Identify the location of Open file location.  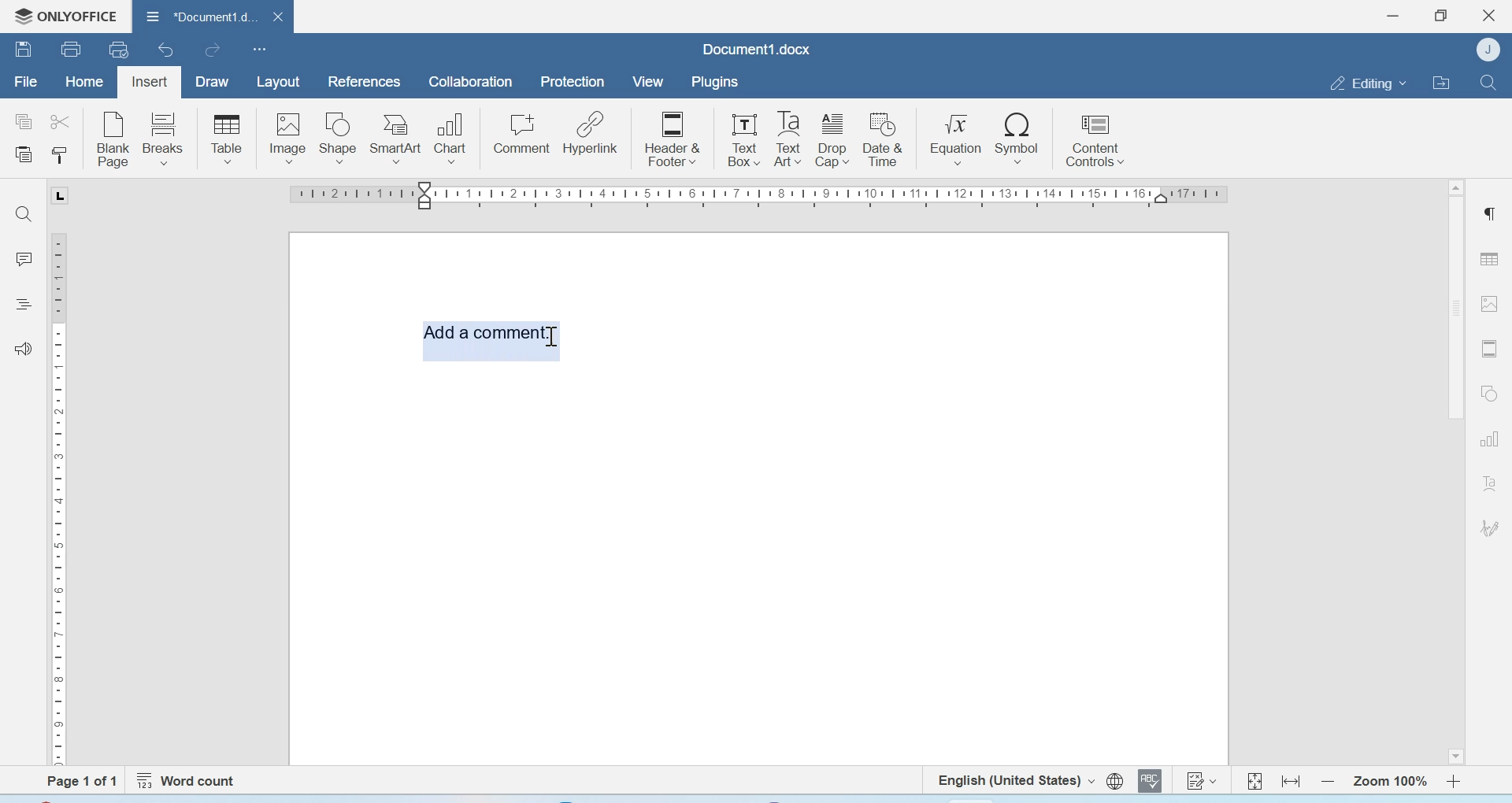
(1441, 82).